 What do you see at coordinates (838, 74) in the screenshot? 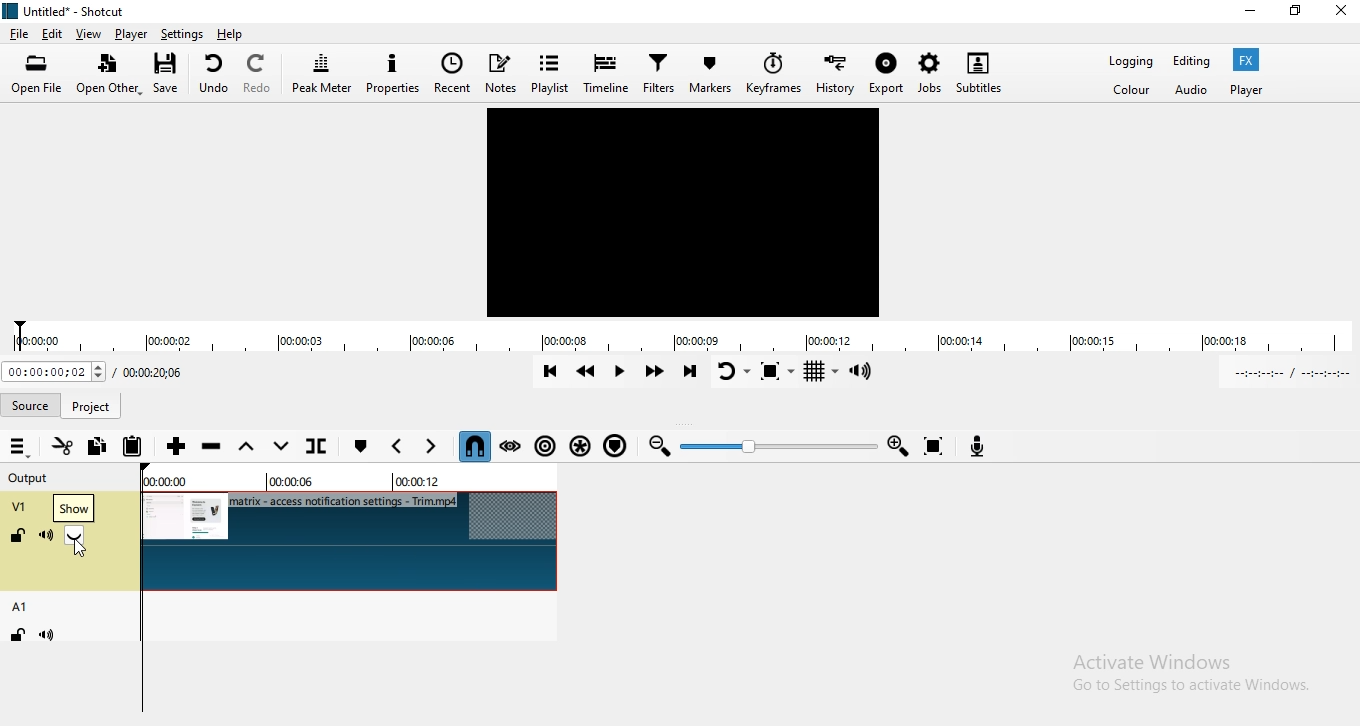
I see `History` at bounding box center [838, 74].